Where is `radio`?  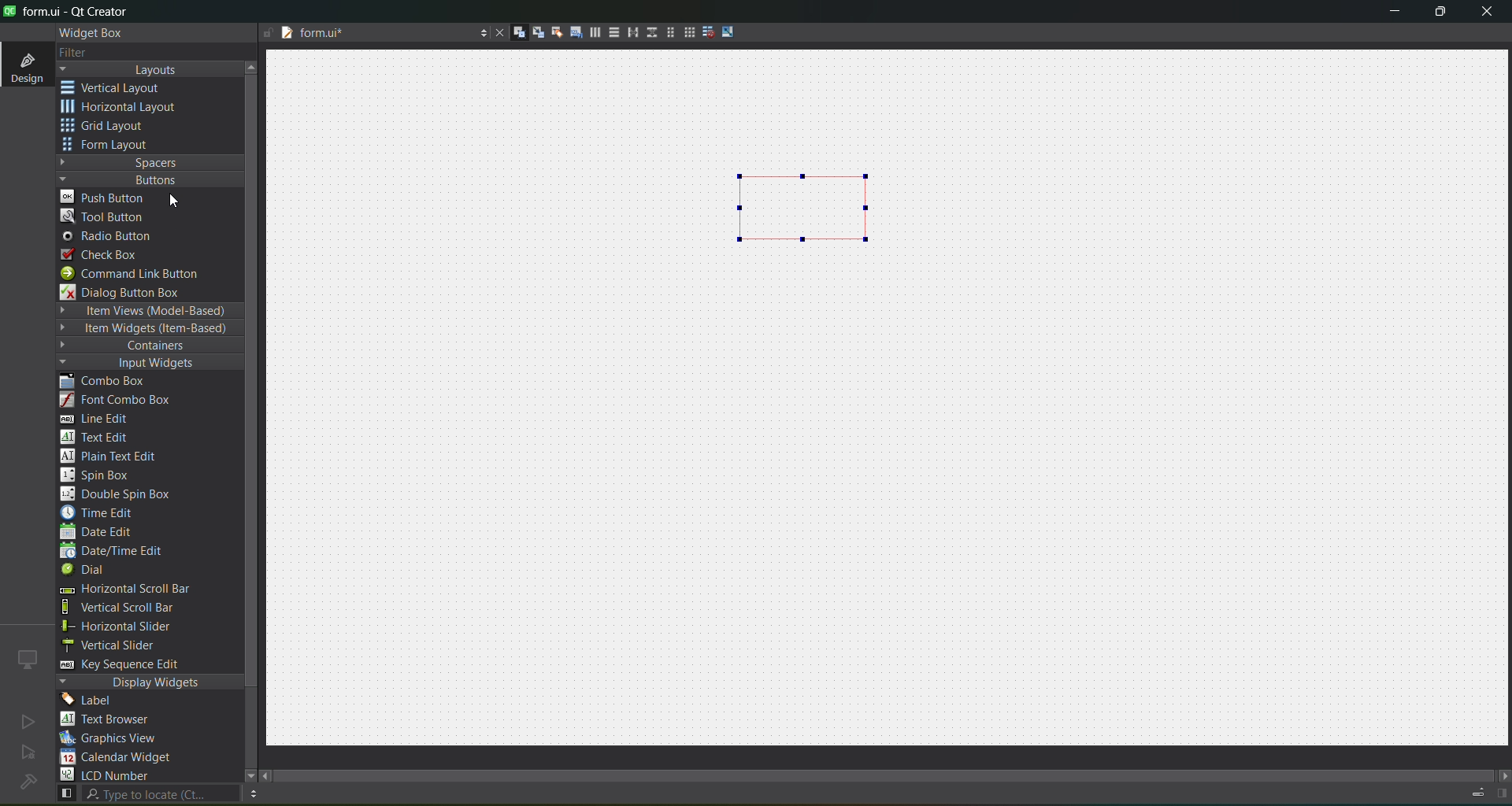 radio is located at coordinates (112, 237).